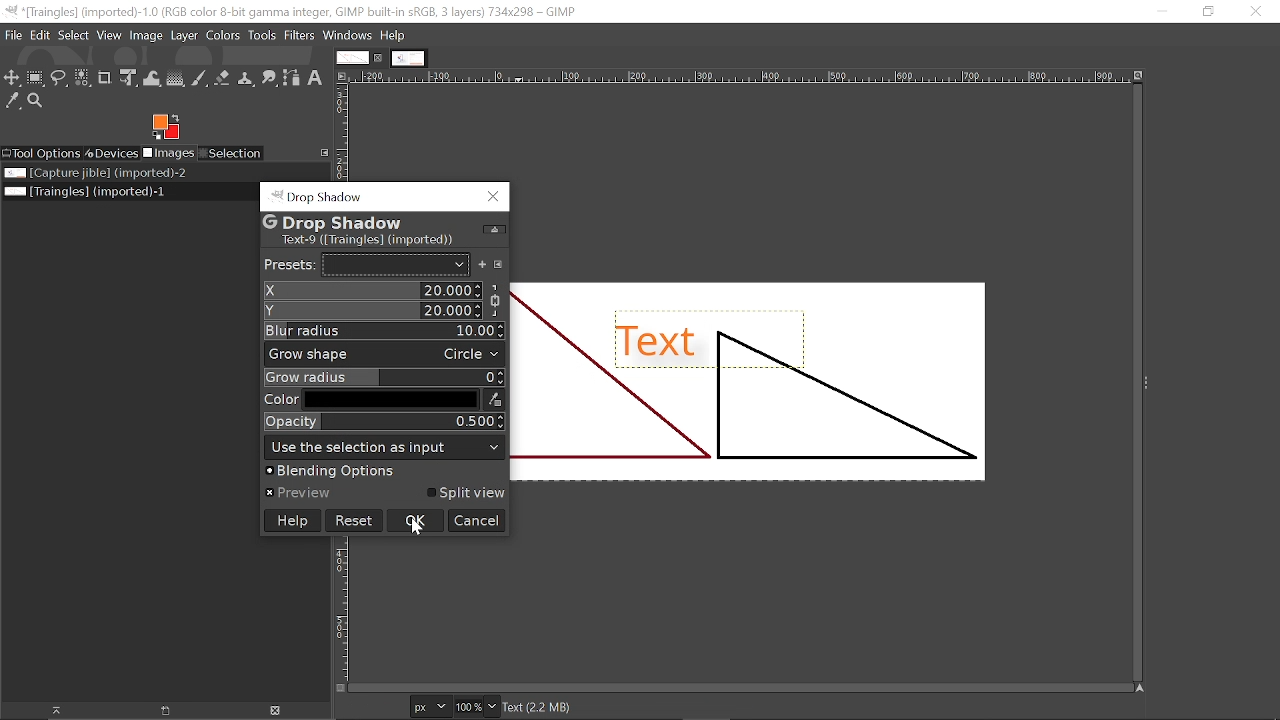 This screenshot has height=720, width=1280. I want to click on Cursor, so click(299, 36).